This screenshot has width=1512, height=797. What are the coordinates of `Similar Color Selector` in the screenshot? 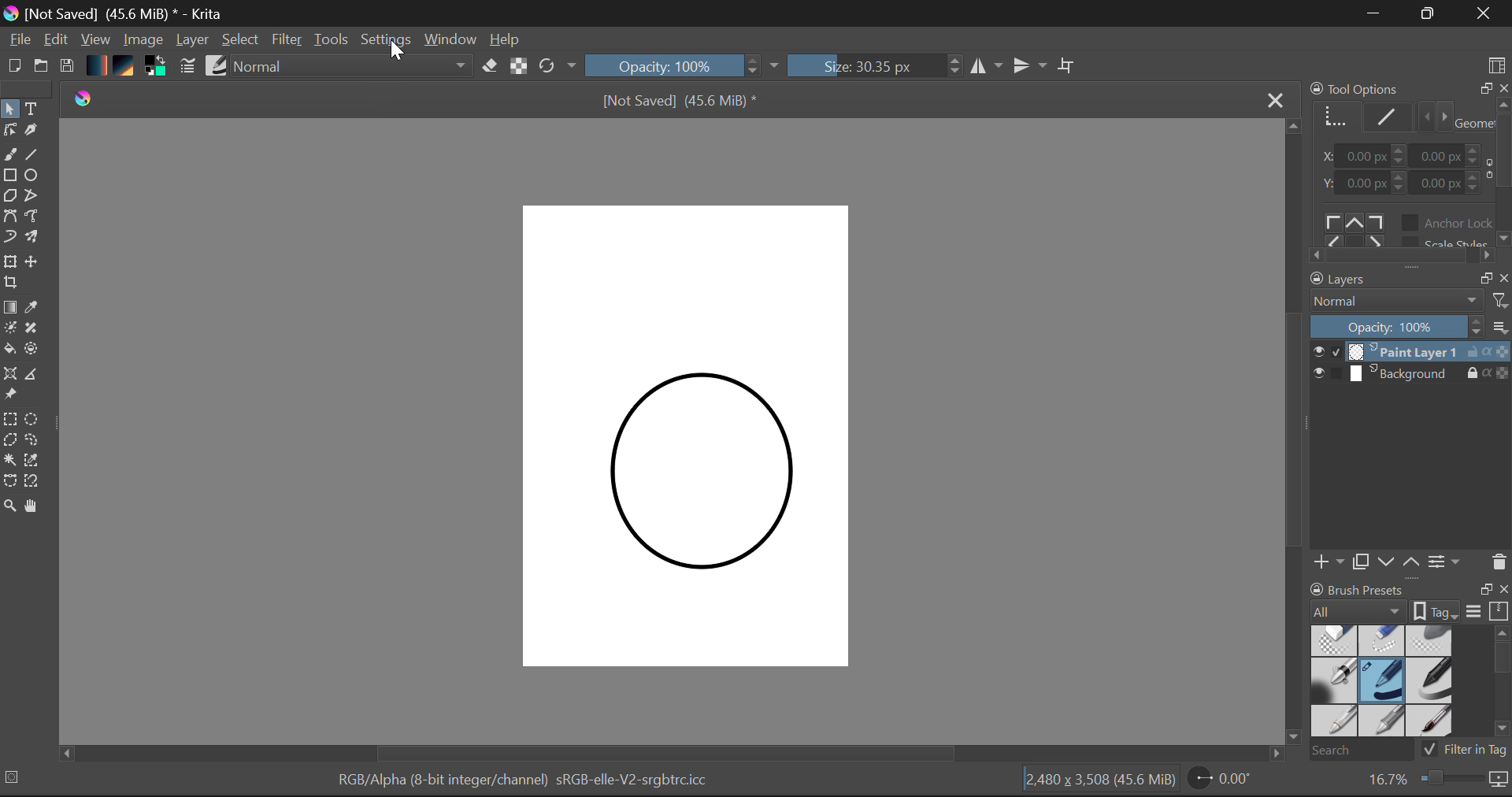 It's located at (35, 462).